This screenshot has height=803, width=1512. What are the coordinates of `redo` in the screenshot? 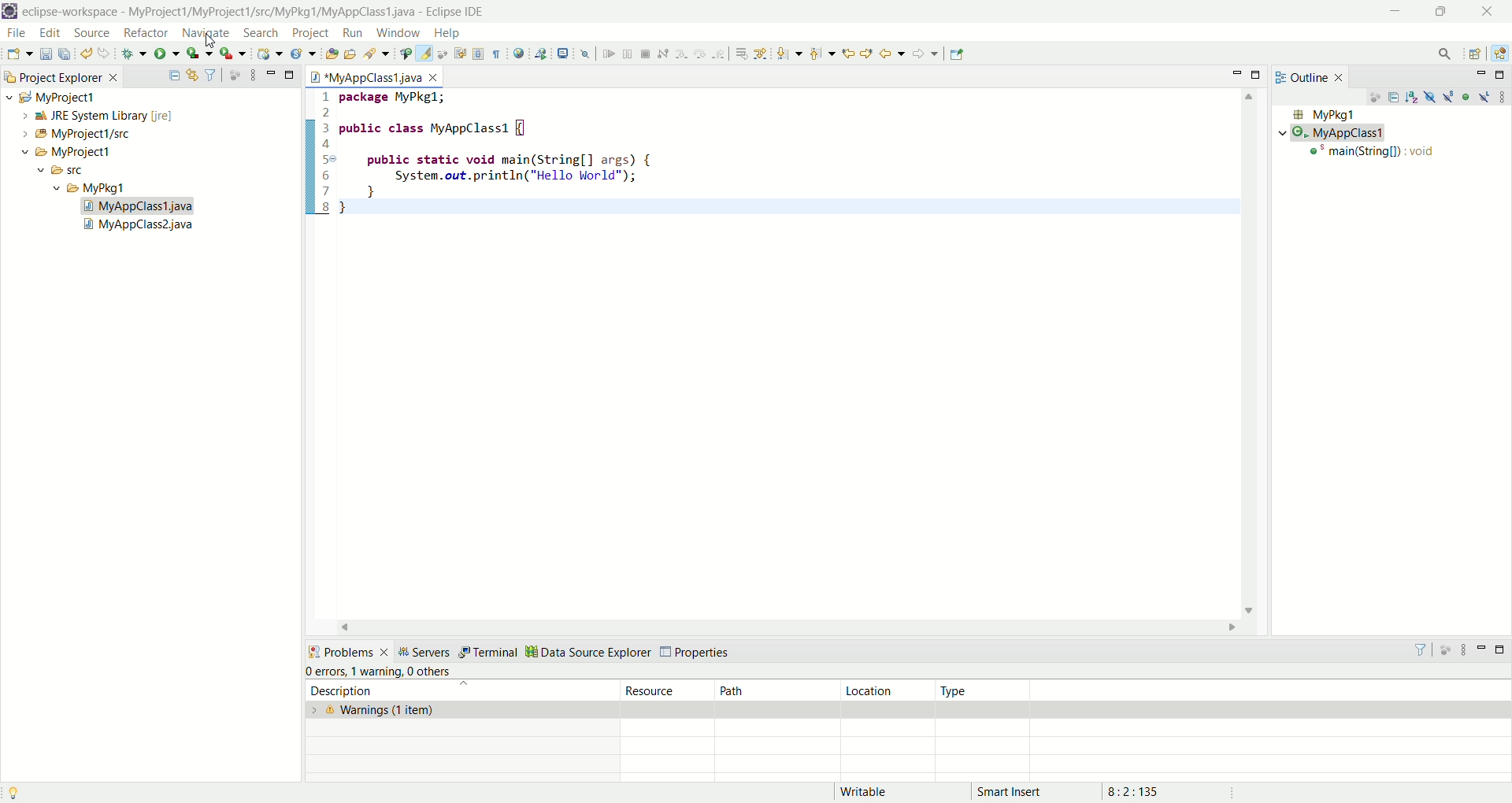 It's located at (105, 54).